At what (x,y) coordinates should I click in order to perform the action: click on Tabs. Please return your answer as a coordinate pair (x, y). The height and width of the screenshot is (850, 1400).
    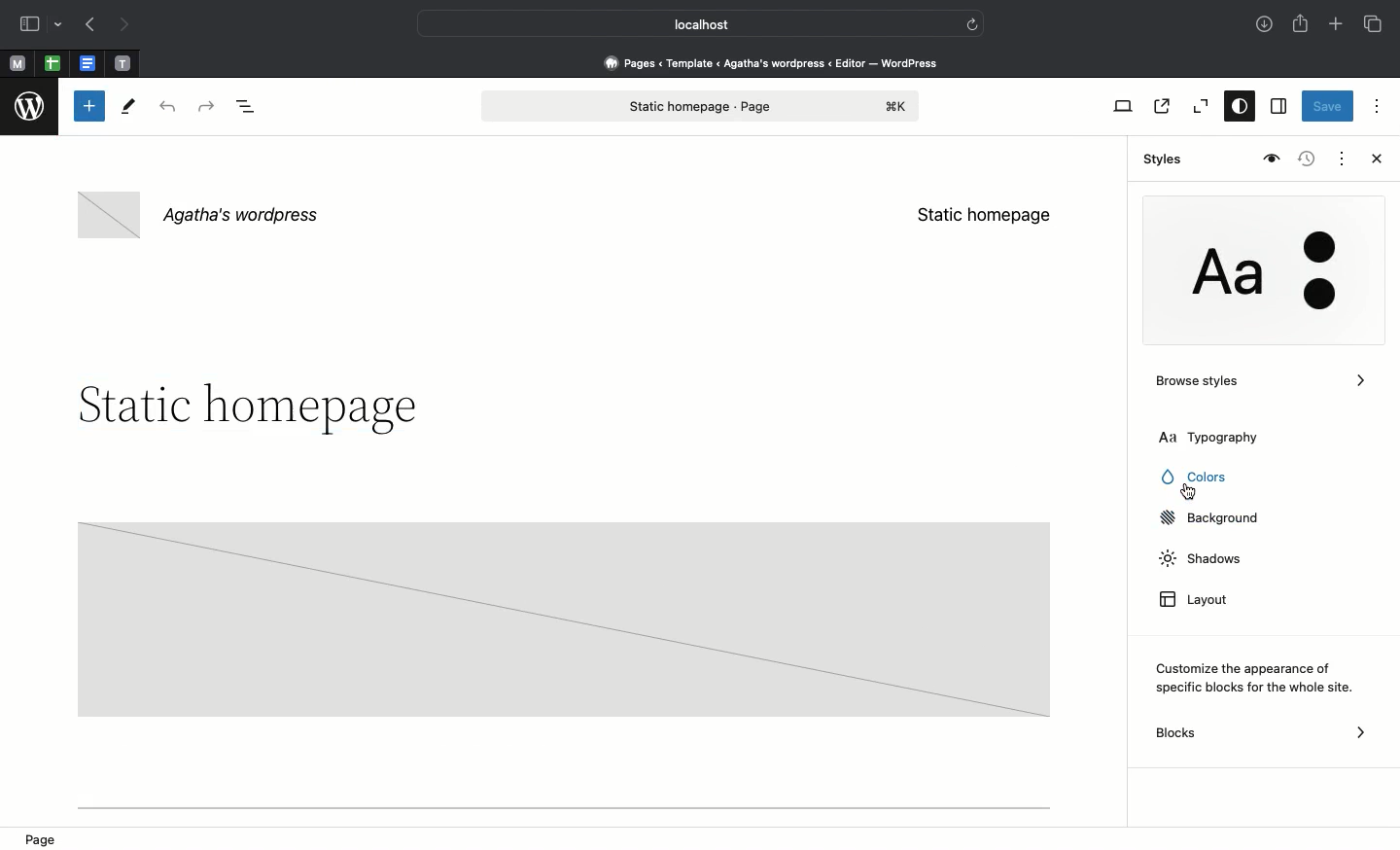
    Looking at the image, I should click on (1375, 24).